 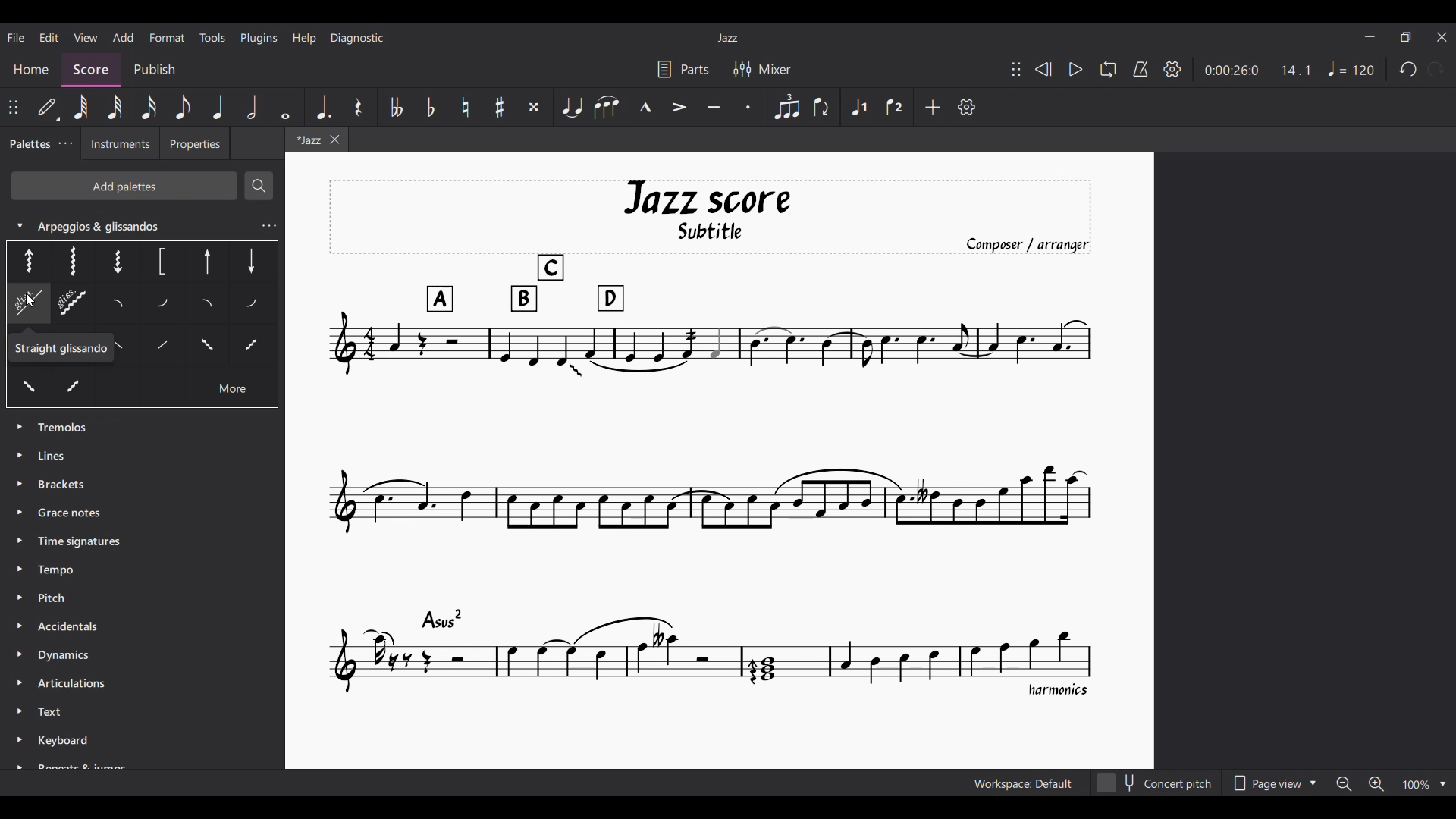 What do you see at coordinates (680, 107) in the screenshot?
I see `Accent` at bounding box center [680, 107].